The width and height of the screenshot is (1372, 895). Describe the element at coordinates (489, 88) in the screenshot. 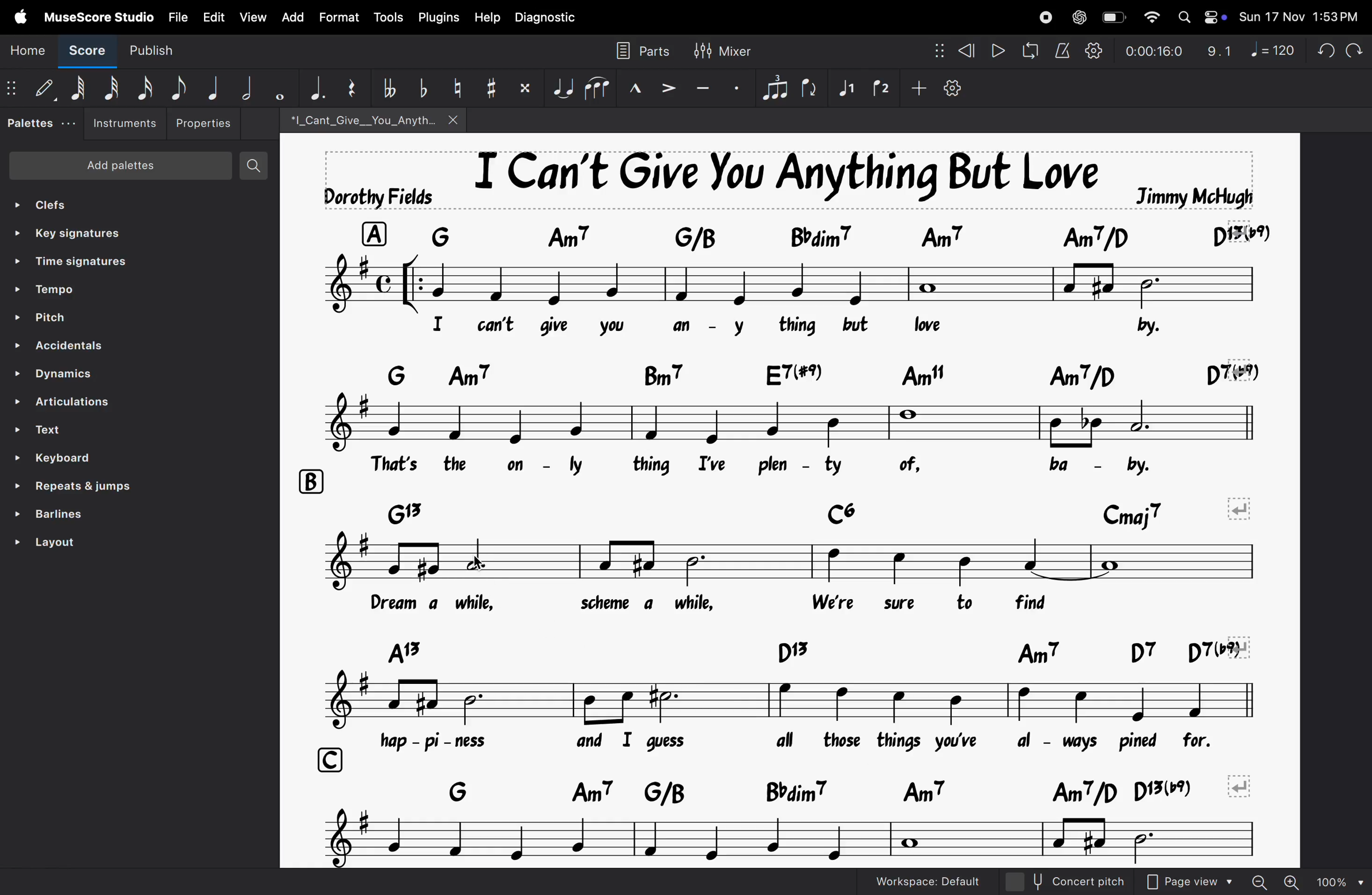

I see `toggle sharp` at that location.